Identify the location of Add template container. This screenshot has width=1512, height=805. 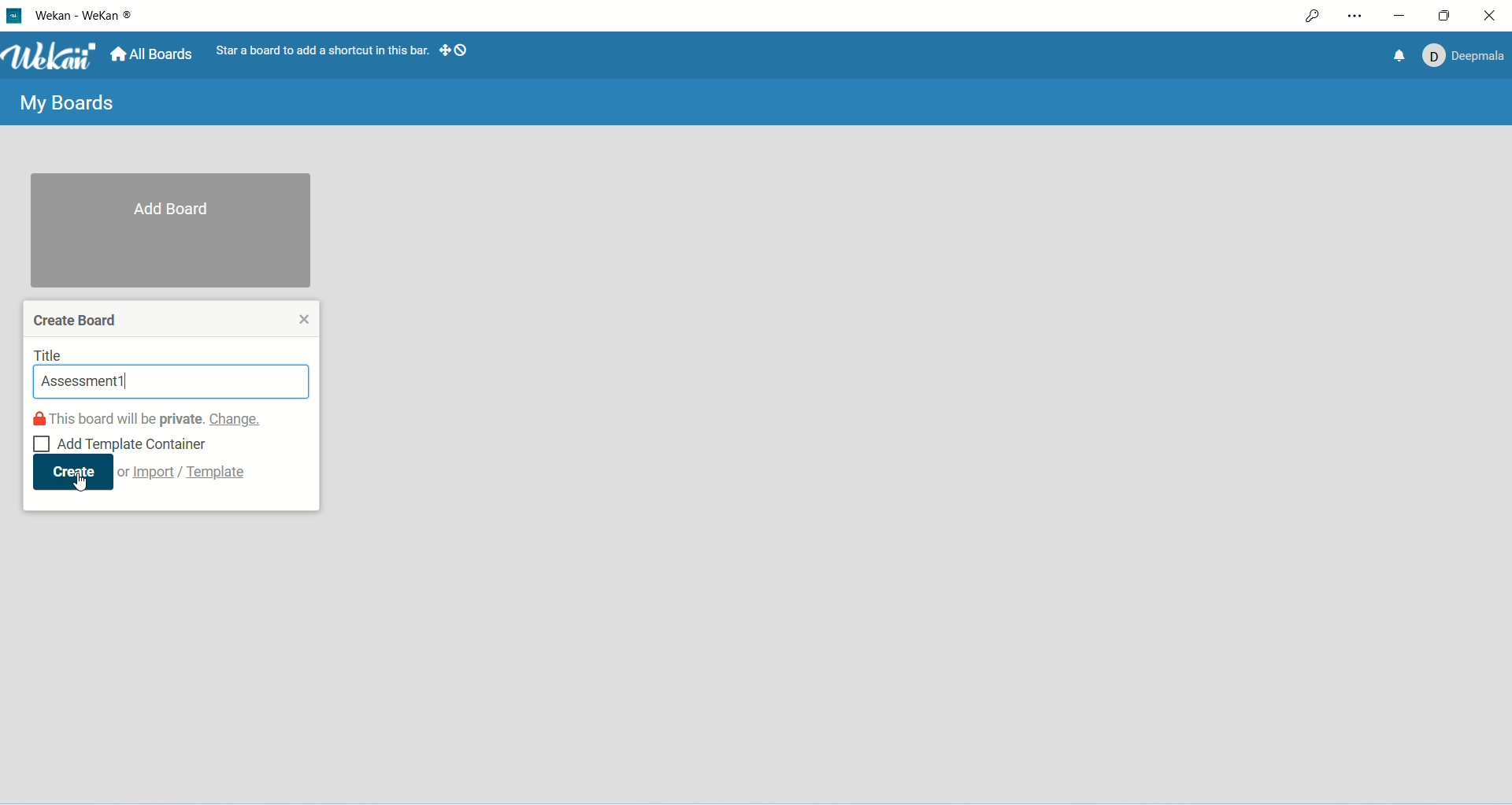
(125, 444).